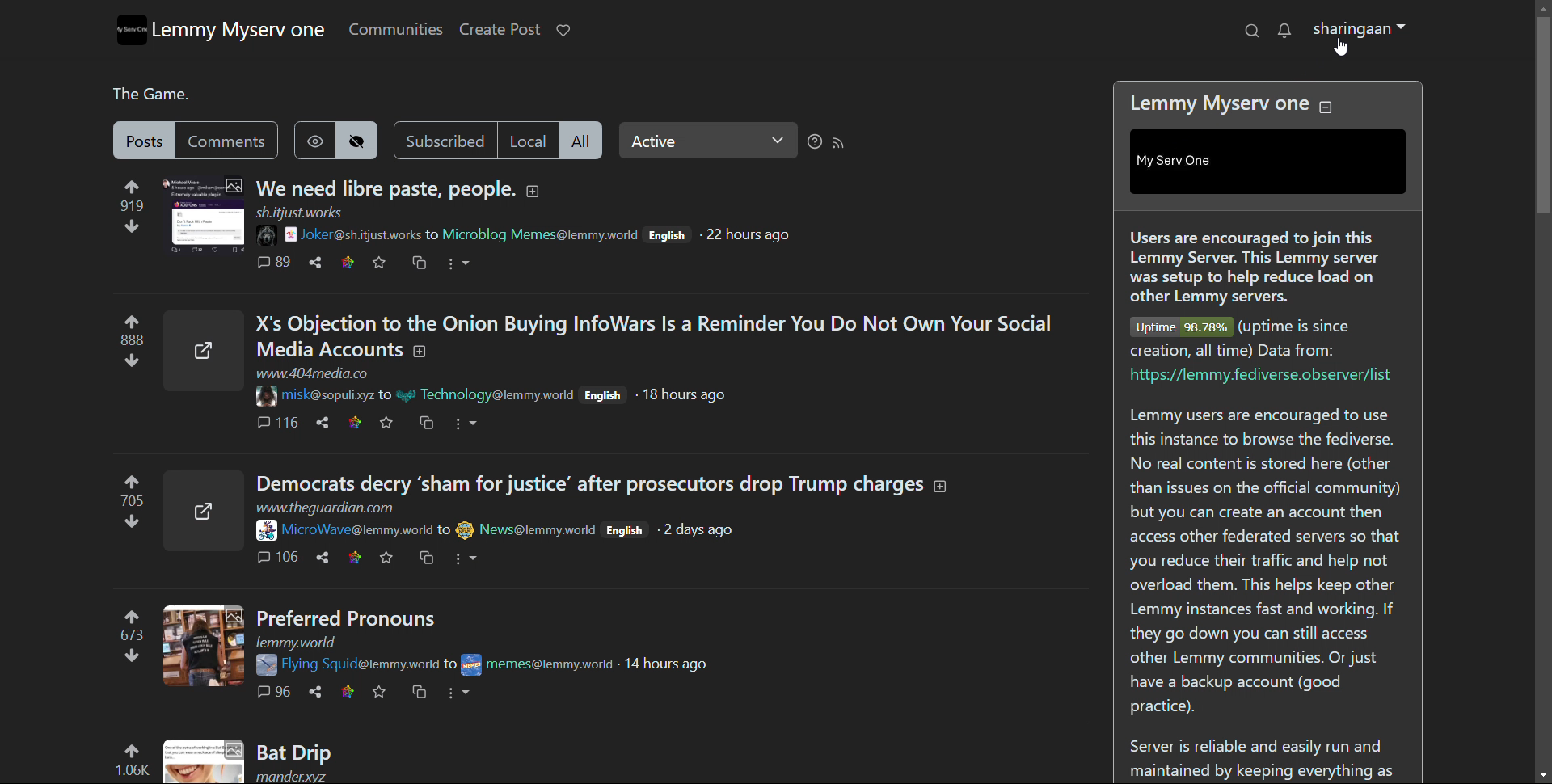 The height and width of the screenshot is (784, 1552). I want to click on time of posting, so click(692, 399).